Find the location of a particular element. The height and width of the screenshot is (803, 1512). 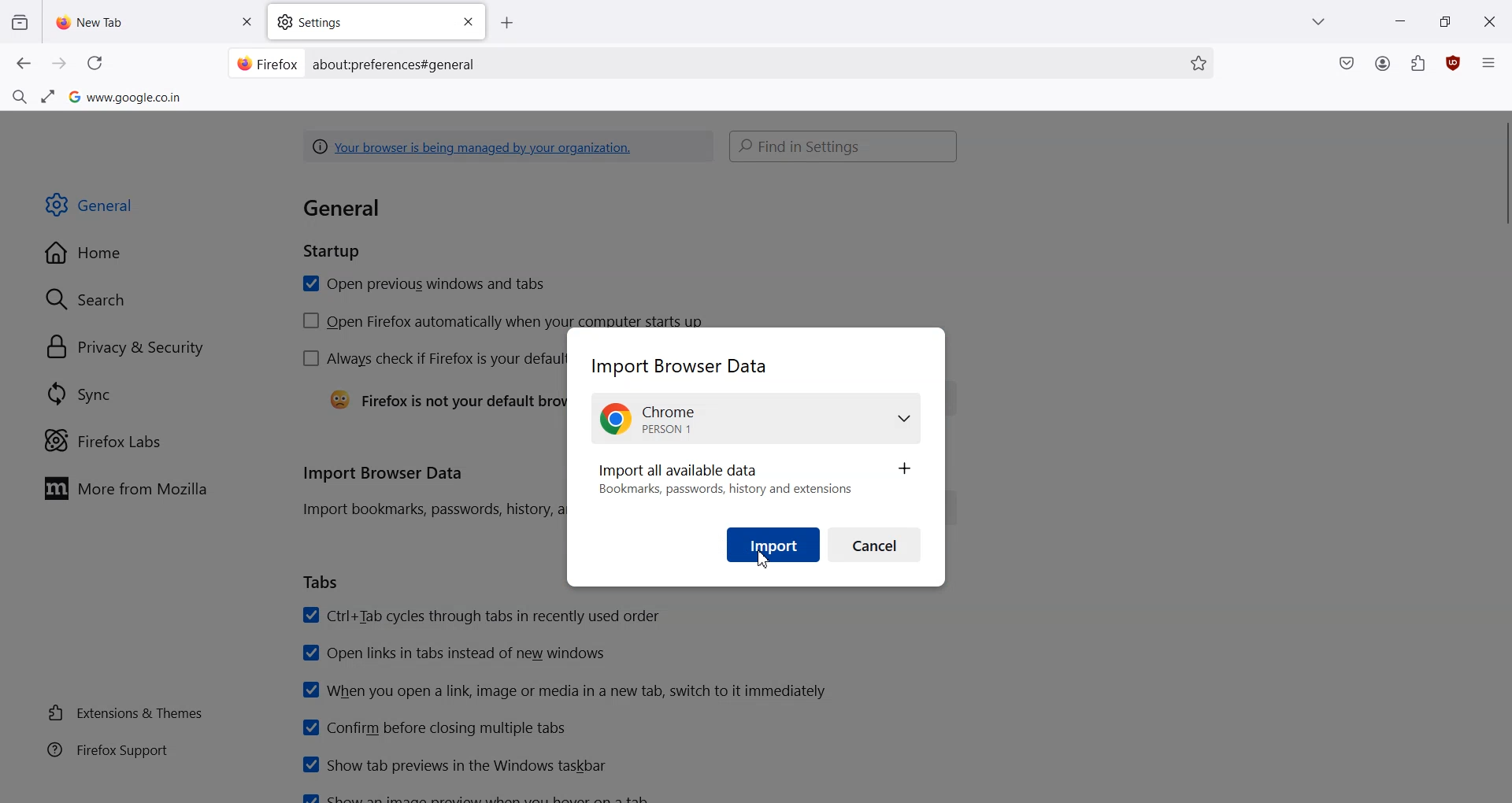

Search is located at coordinates (87, 298).